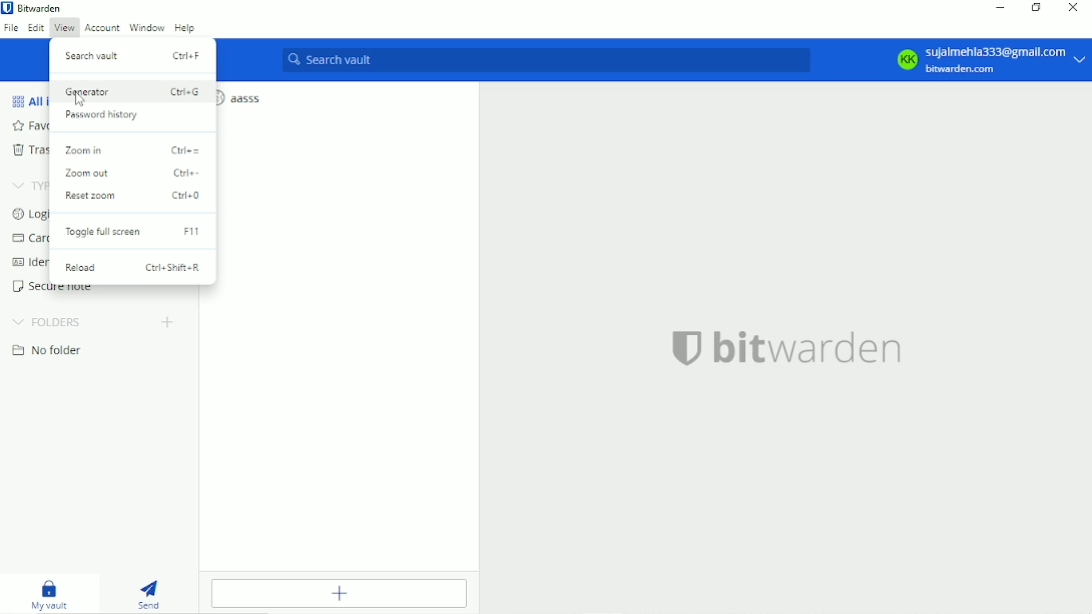 Image resolution: width=1092 pixels, height=614 pixels. What do you see at coordinates (152, 592) in the screenshot?
I see `Send` at bounding box center [152, 592].